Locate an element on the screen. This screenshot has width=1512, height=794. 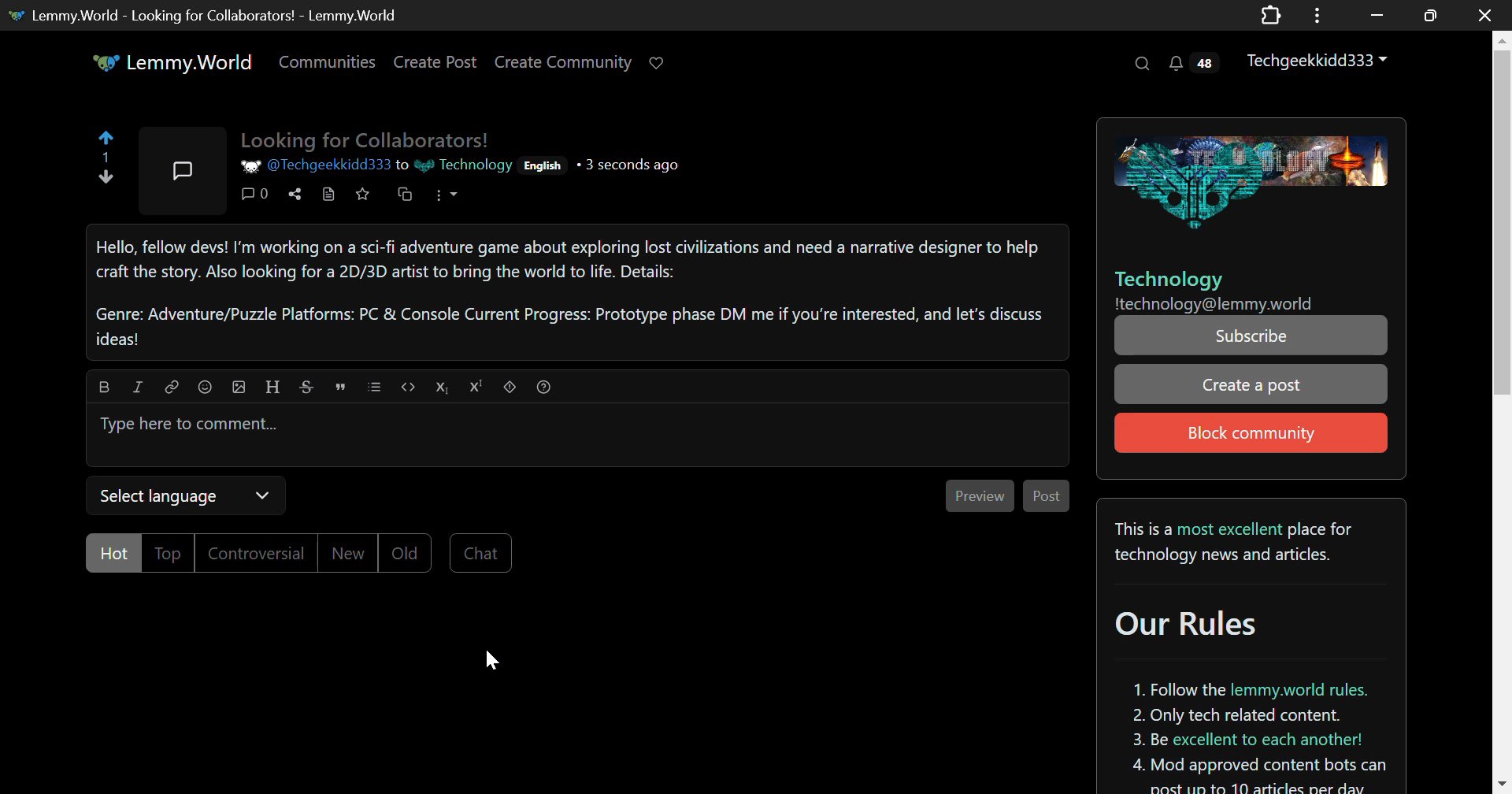
quote is located at coordinates (341, 386).